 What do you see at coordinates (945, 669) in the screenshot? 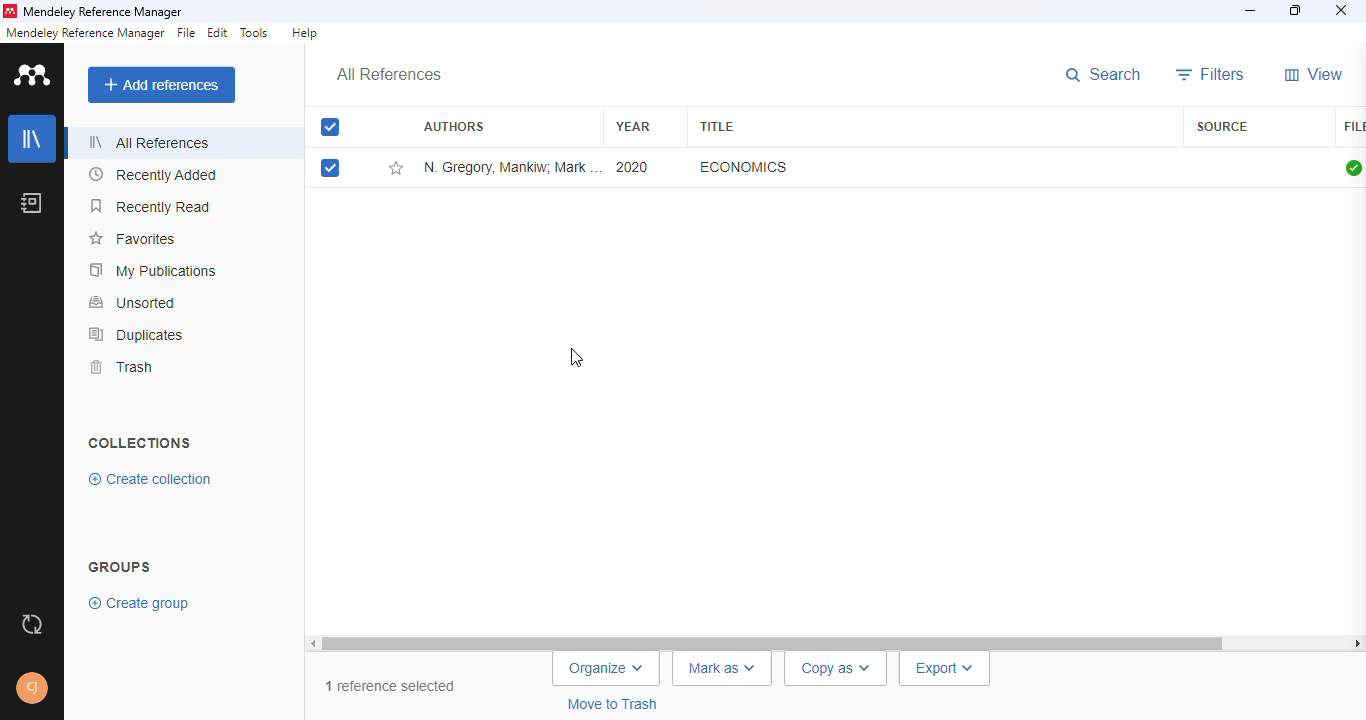
I see `export` at bounding box center [945, 669].